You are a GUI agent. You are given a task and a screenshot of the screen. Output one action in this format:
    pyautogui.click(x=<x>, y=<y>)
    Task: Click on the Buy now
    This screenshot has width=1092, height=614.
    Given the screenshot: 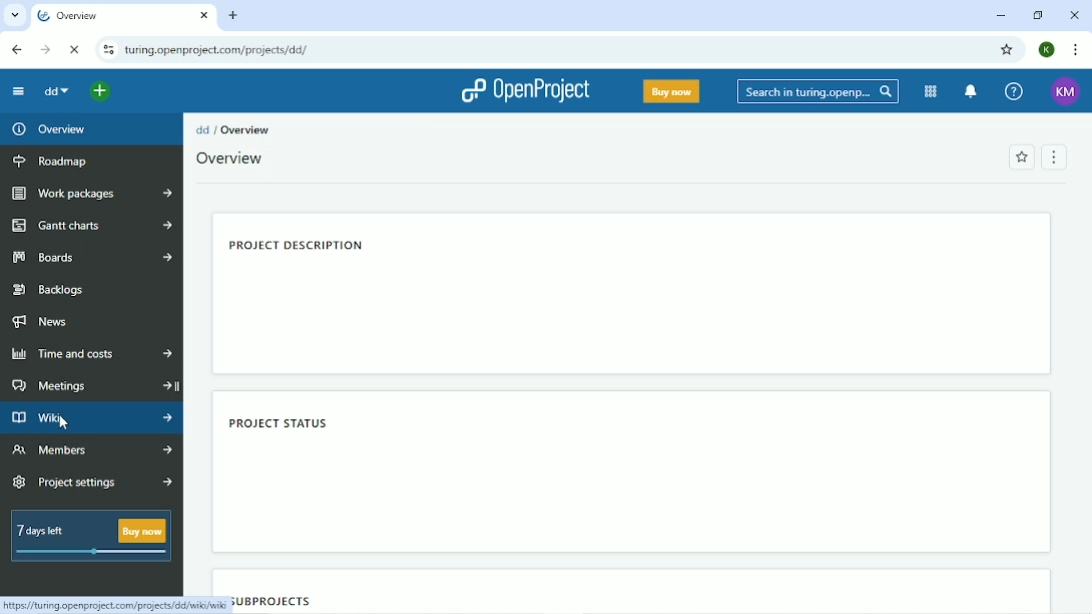 What is the action you would take?
    pyautogui.click(x=671, y=91)
    